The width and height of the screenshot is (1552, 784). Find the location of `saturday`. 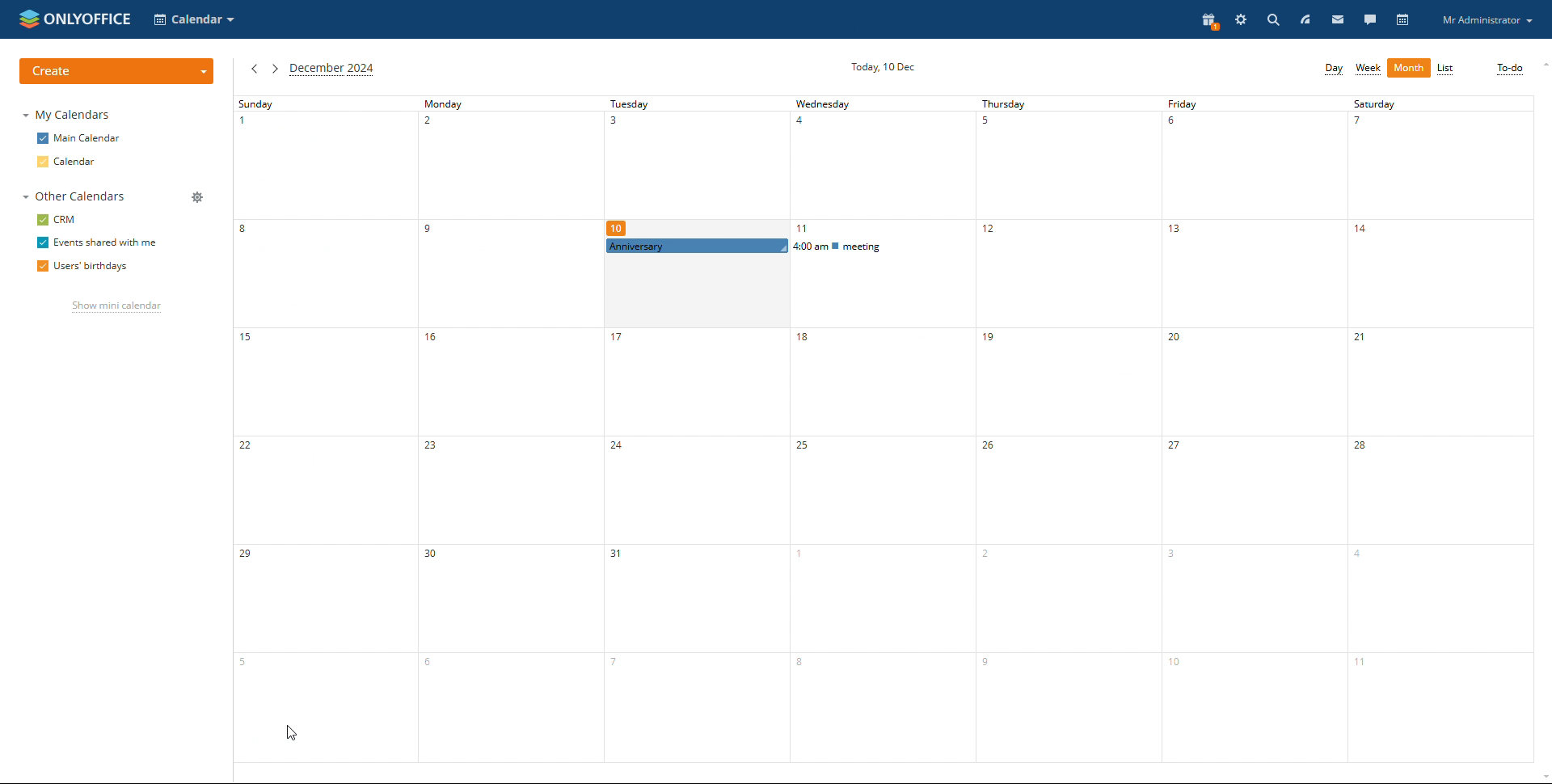

saturday is located at coordinates (1440, 429).